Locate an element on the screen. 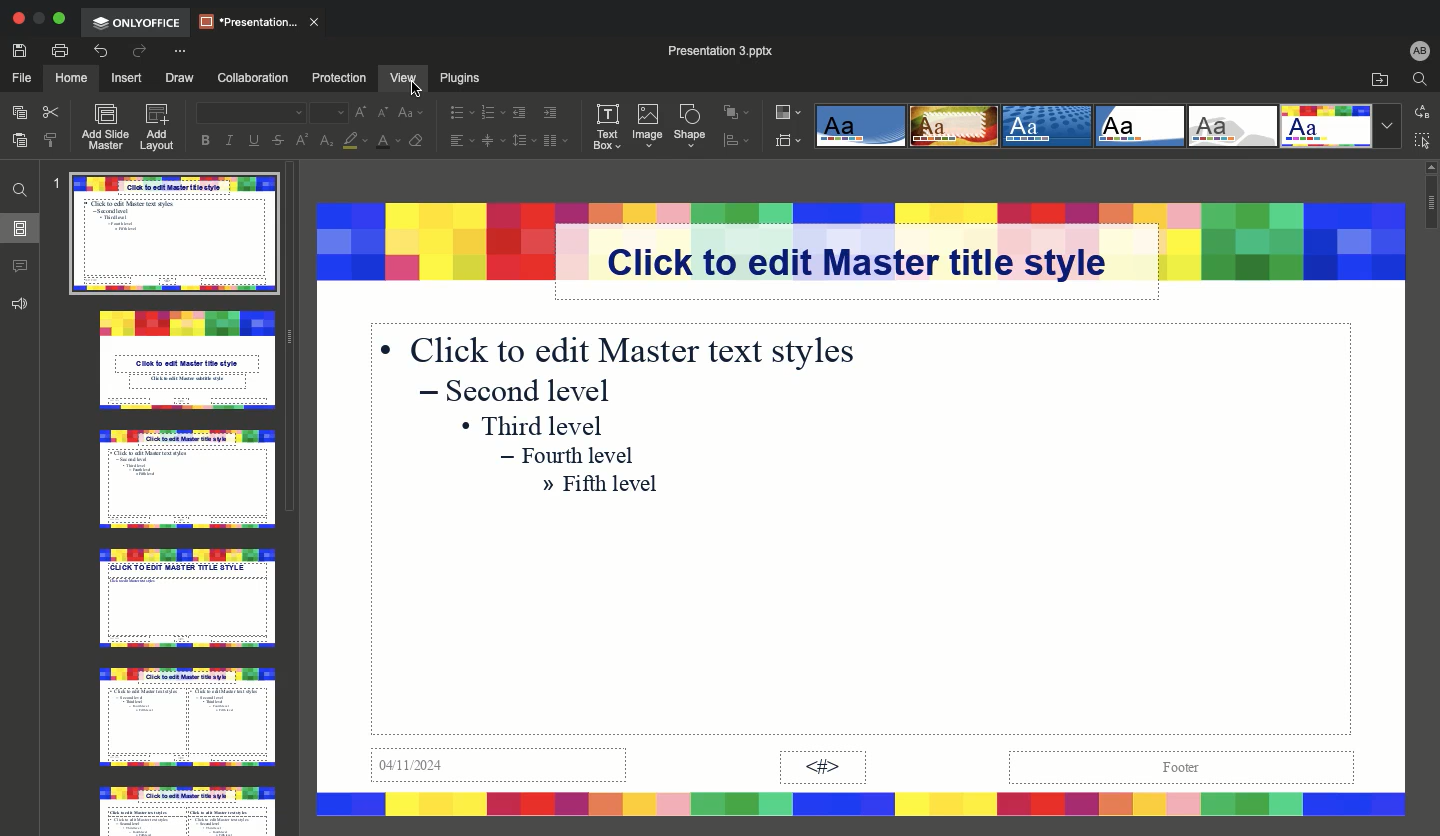  Italics is located at coordinates (232, 138).